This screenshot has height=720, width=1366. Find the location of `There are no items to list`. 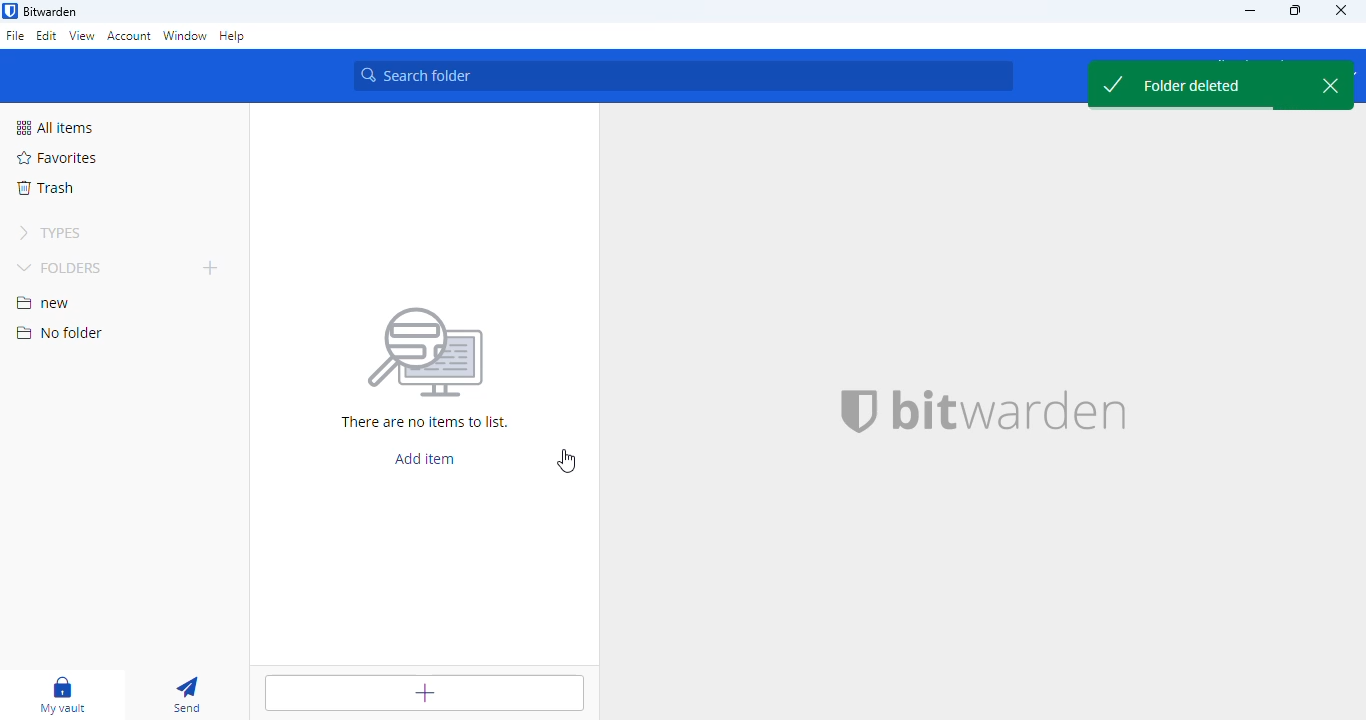

There are no items to list is located at coordinates (423, 422).